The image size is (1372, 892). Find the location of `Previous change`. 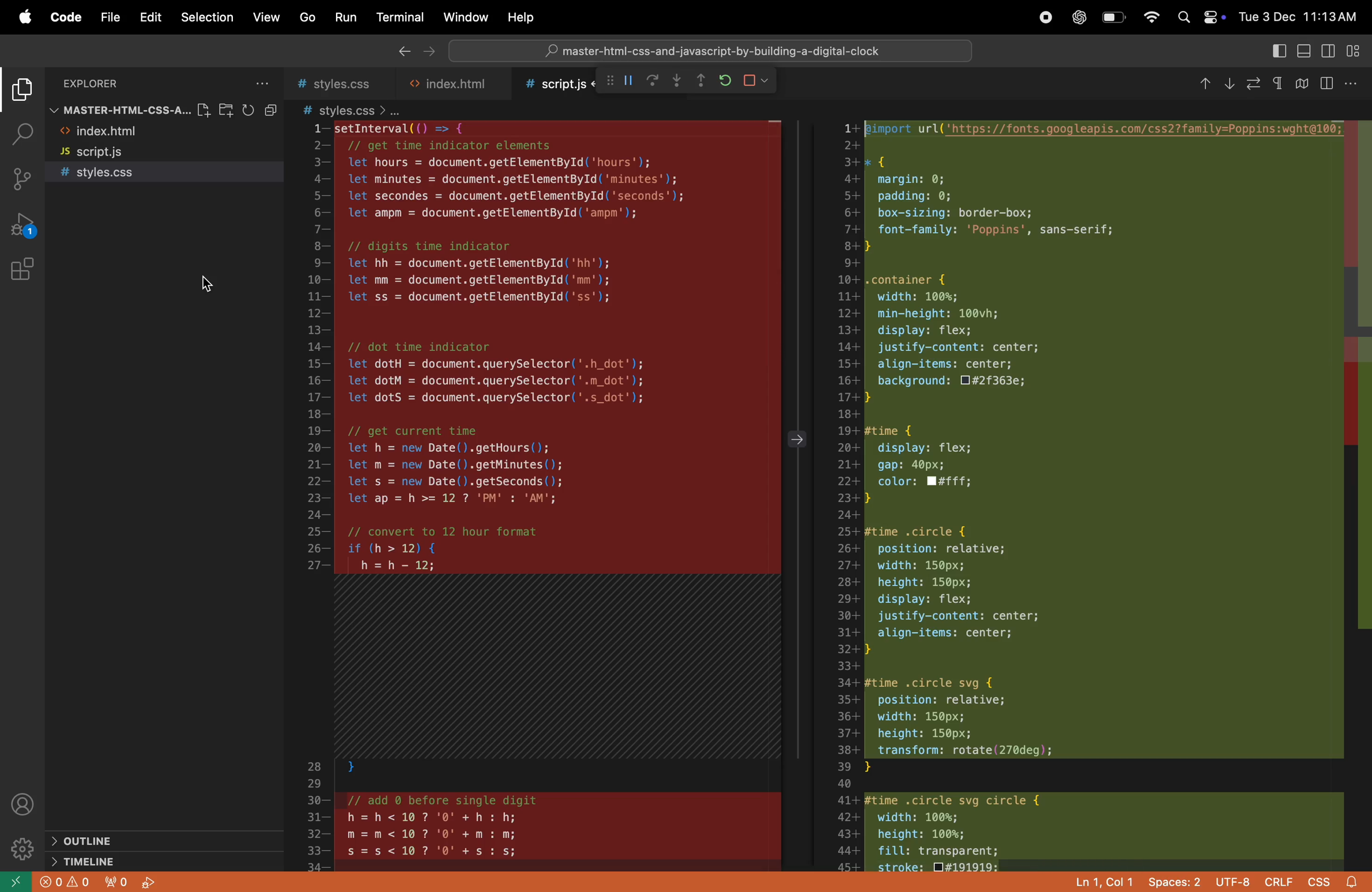

Previous change is located at coordinates (1206, 84).